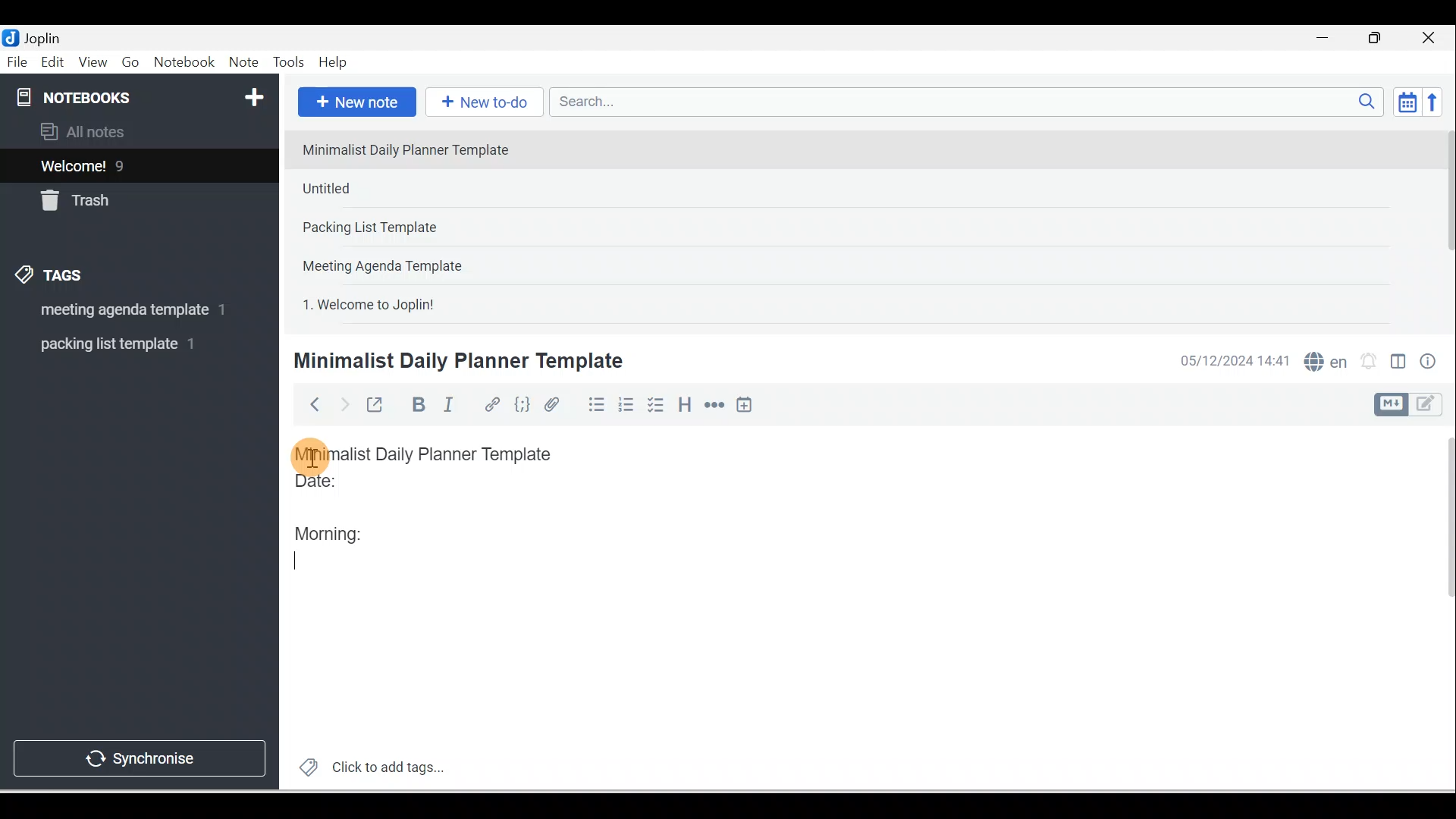 This screenshot has width=1456, height=819. Describe the element at coordinates (556, 404) in the screenshot. I see `Attach file` at that location.